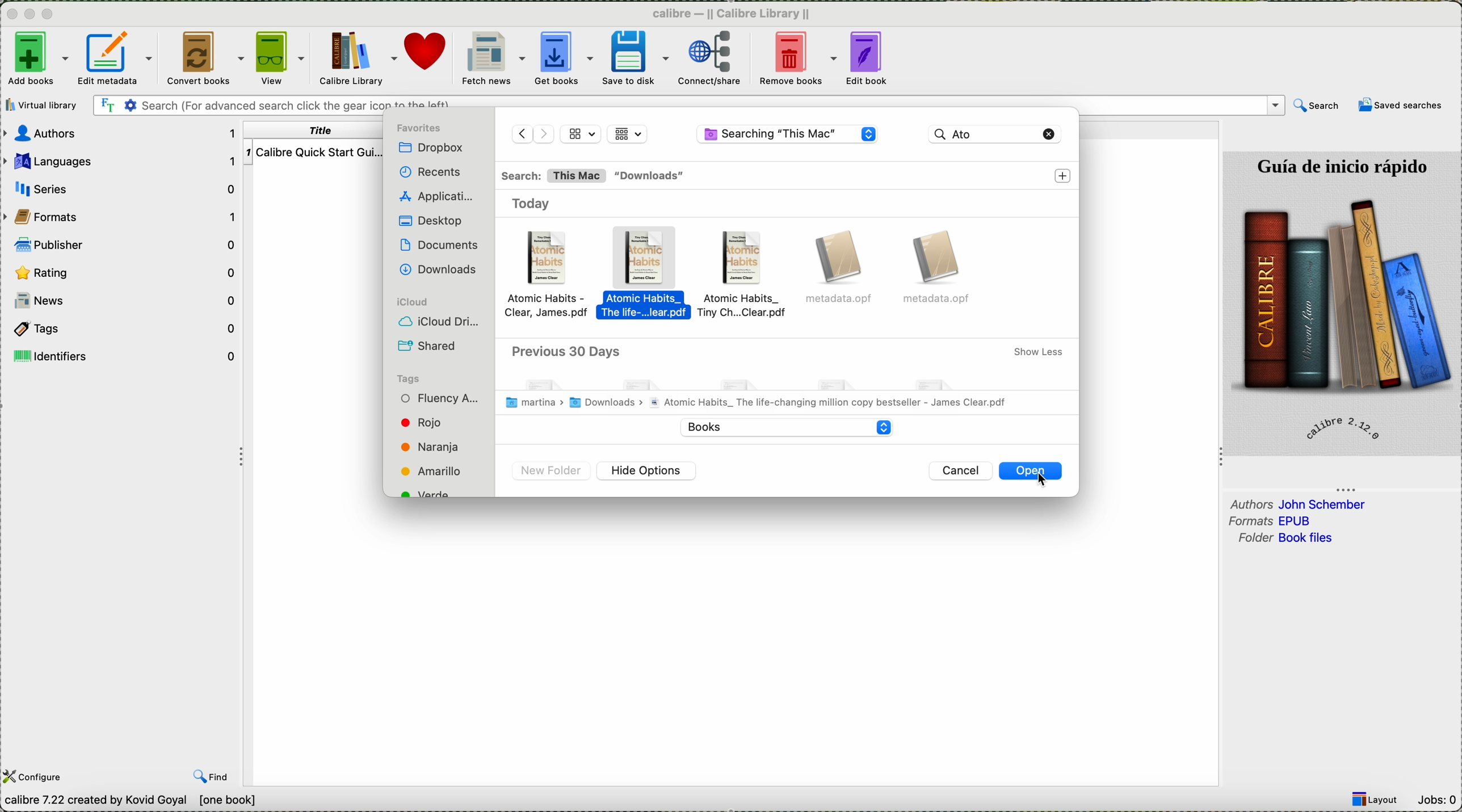 The height and width of the screenshot is (812, 1462). I want to click on file, so click(746, 277).